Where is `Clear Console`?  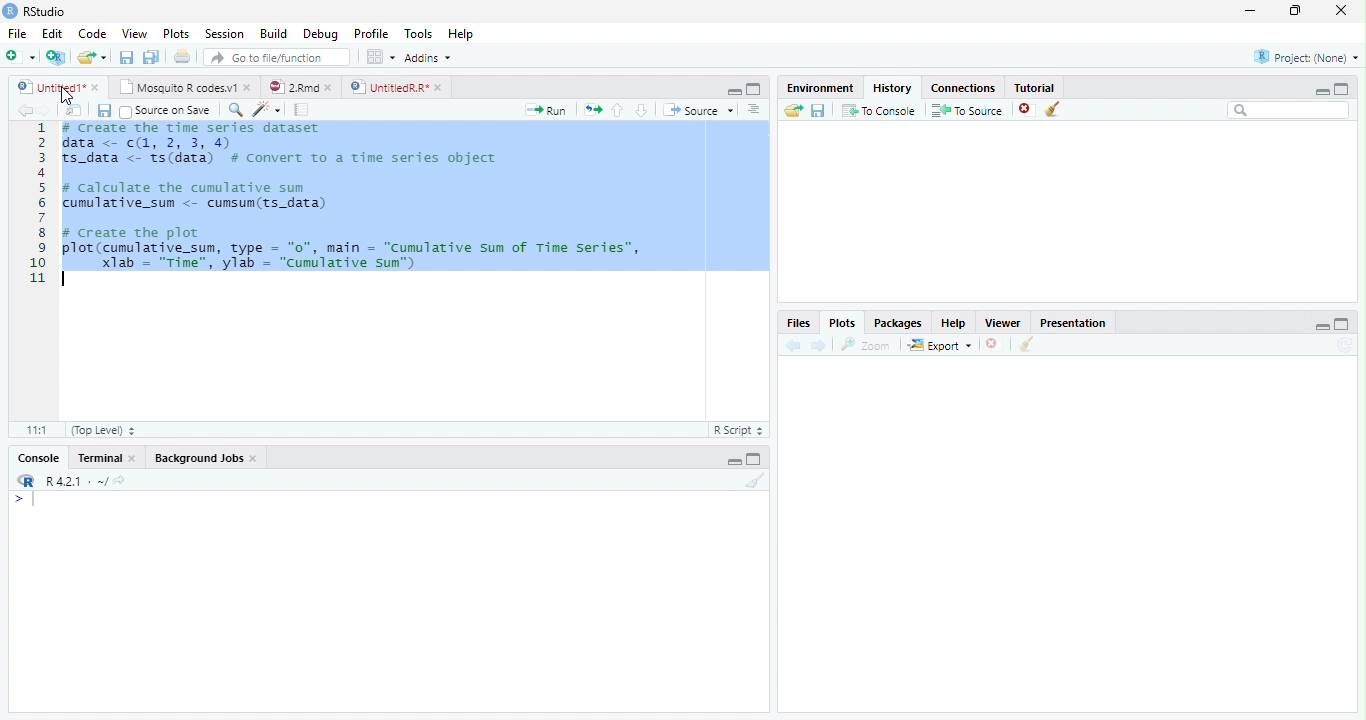
Clear Console is located at coordinates (1051, 112).